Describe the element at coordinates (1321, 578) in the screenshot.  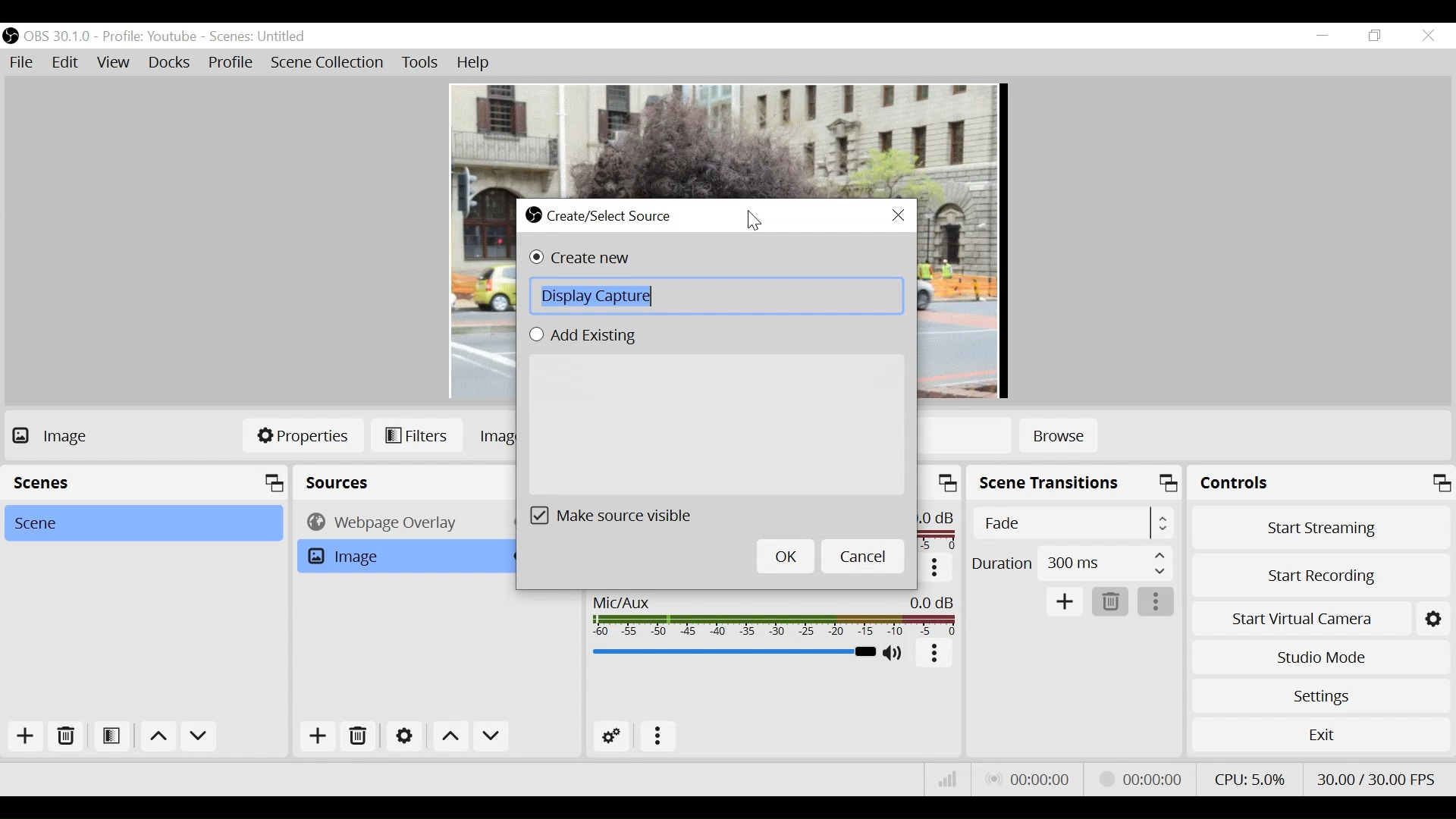
I see `Start Recording` at that location.